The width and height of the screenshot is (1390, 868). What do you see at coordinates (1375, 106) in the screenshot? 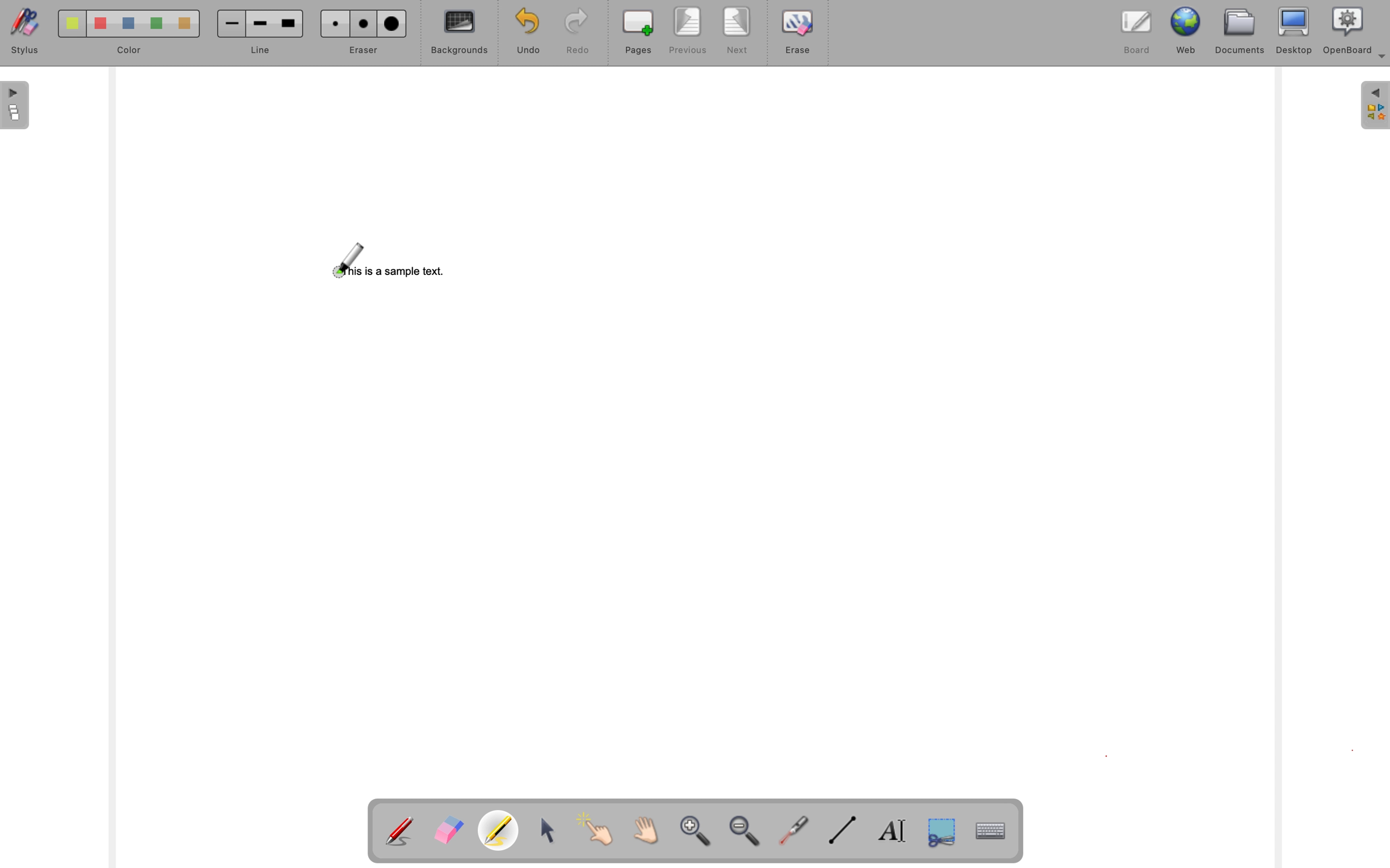
I see `The library (right panel)` at bounding box center [1375, 106].